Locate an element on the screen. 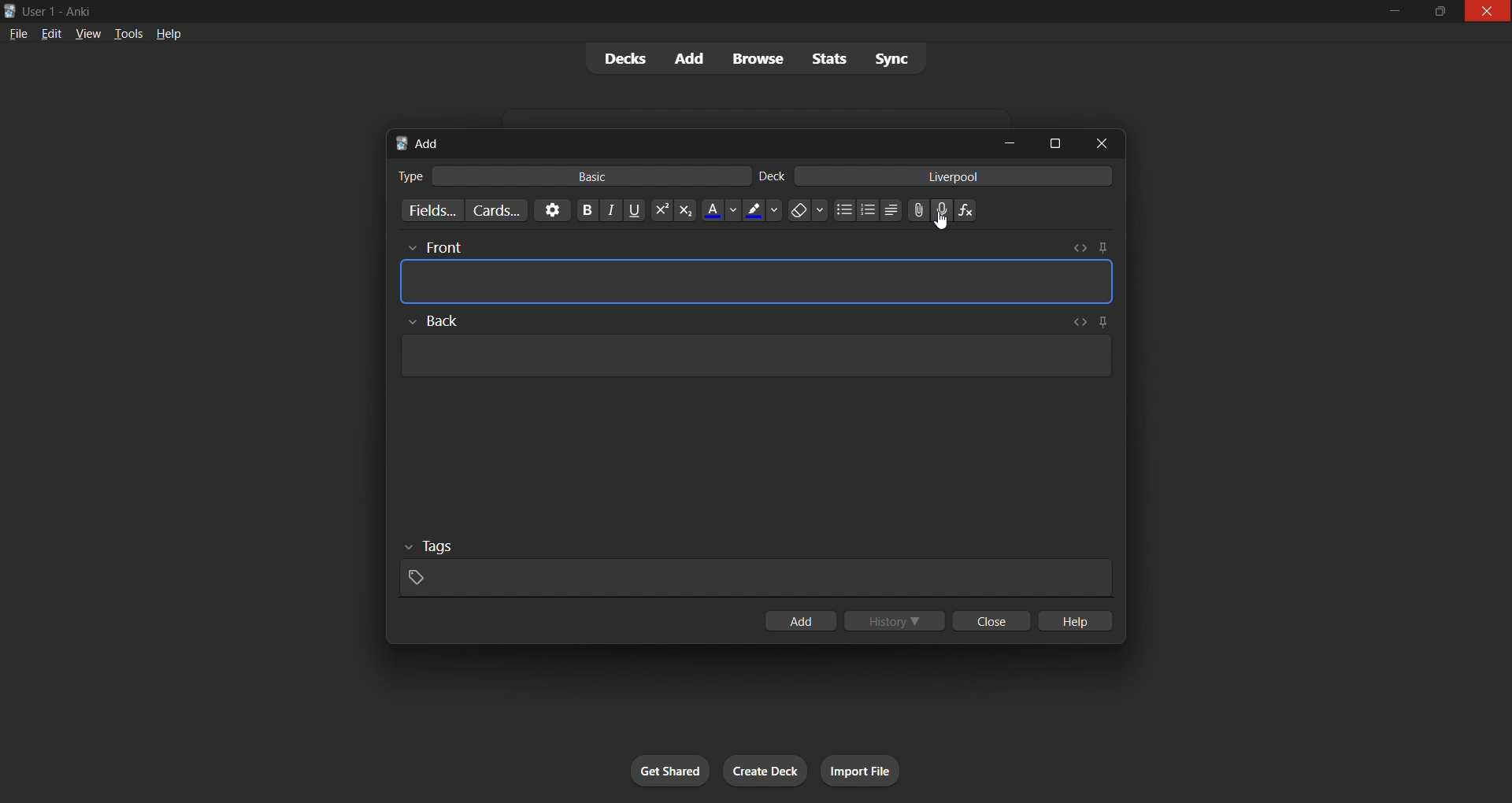 This screenshot has width=1512, height=803. unordered list is located at coordinates (841, 209).